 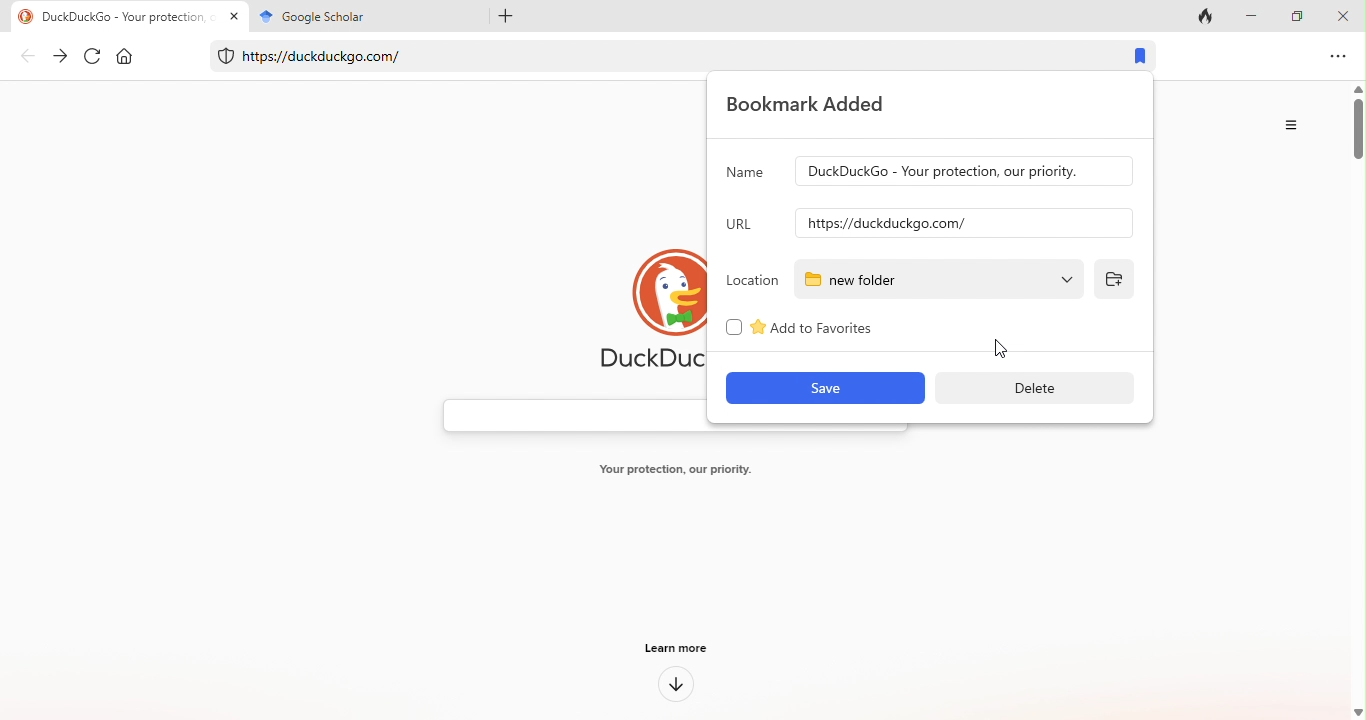 I want to click on back, so click(x=31, y=58).